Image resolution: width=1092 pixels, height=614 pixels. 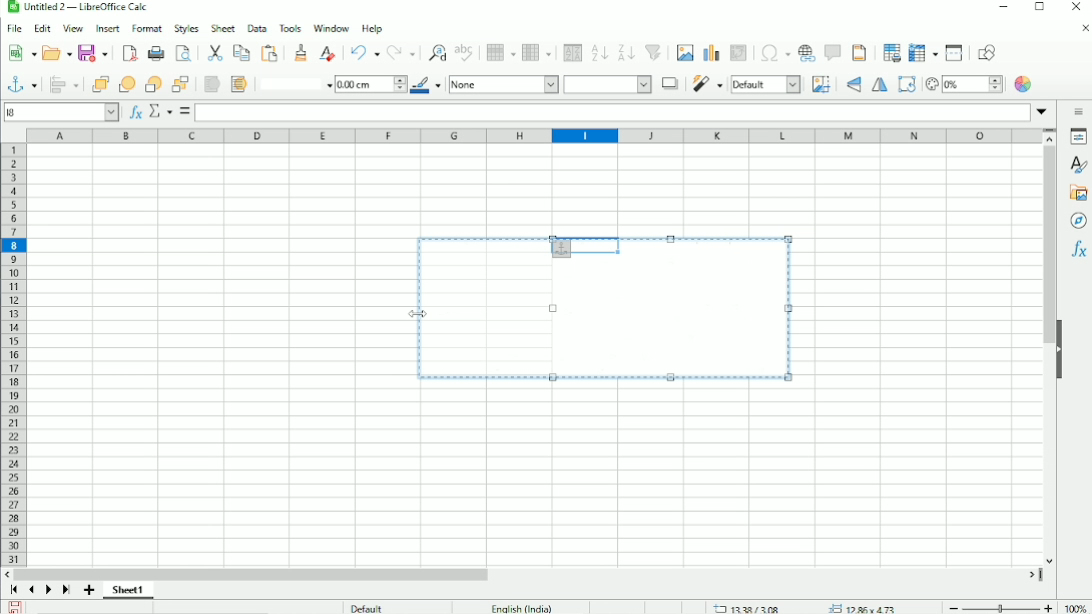 What do you see at coordinates (851, 85) in the screenshot?
I see `Flip vertically` at bounding box center [851, 85].